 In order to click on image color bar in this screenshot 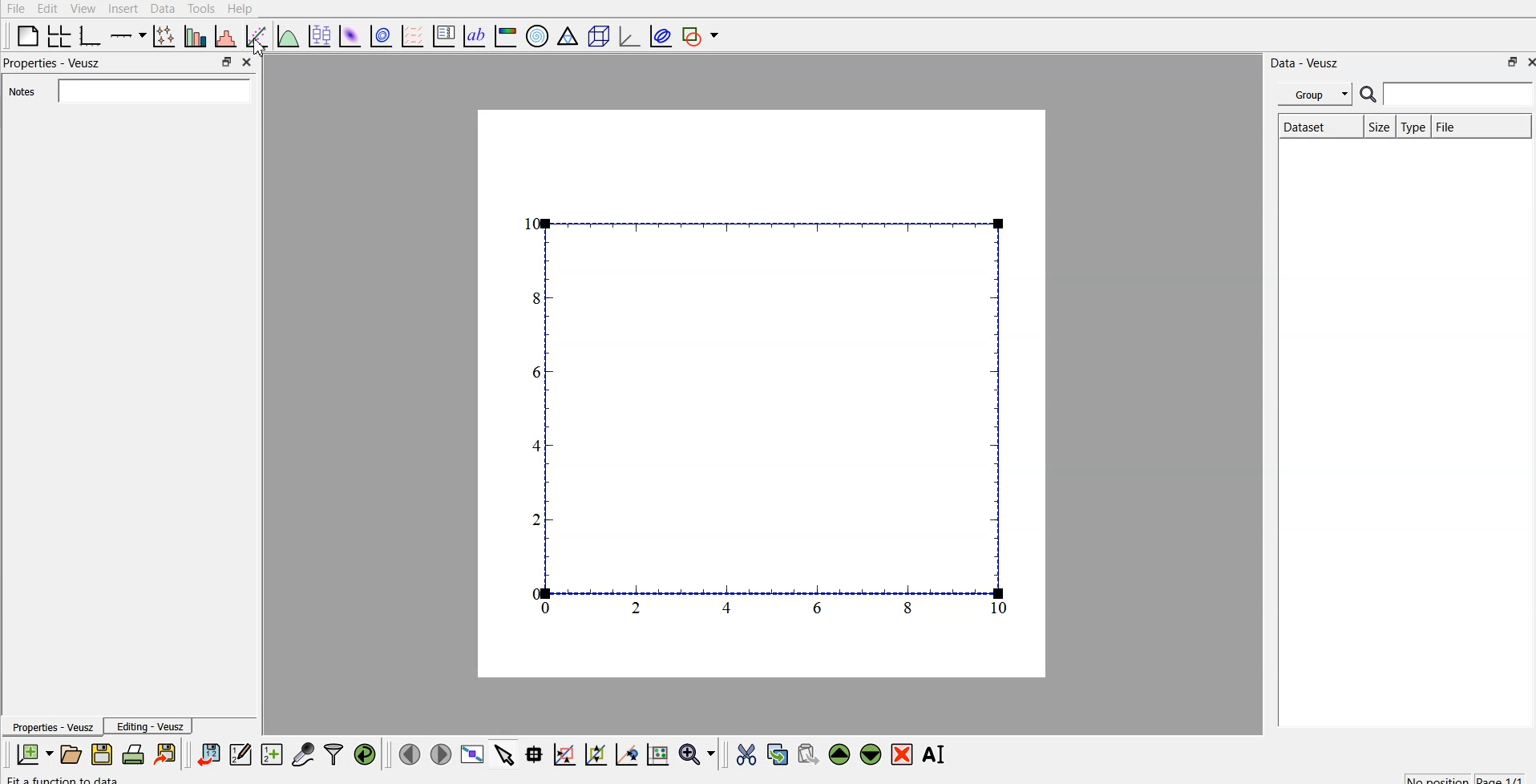, I will do `click(509, 36)`.